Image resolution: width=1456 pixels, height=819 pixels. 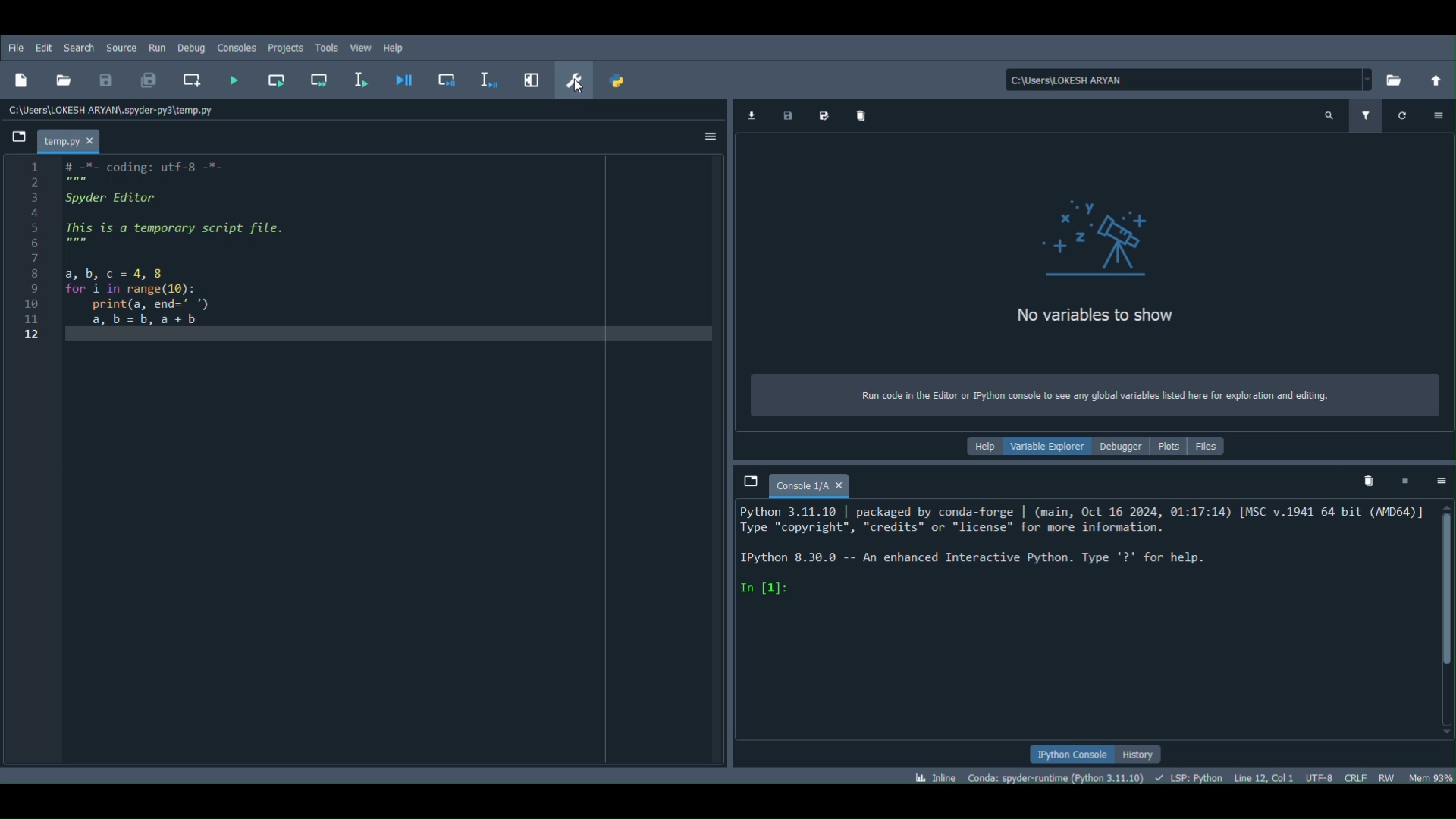 I want to click on Remove all variables, so click(x=1364, y=481).